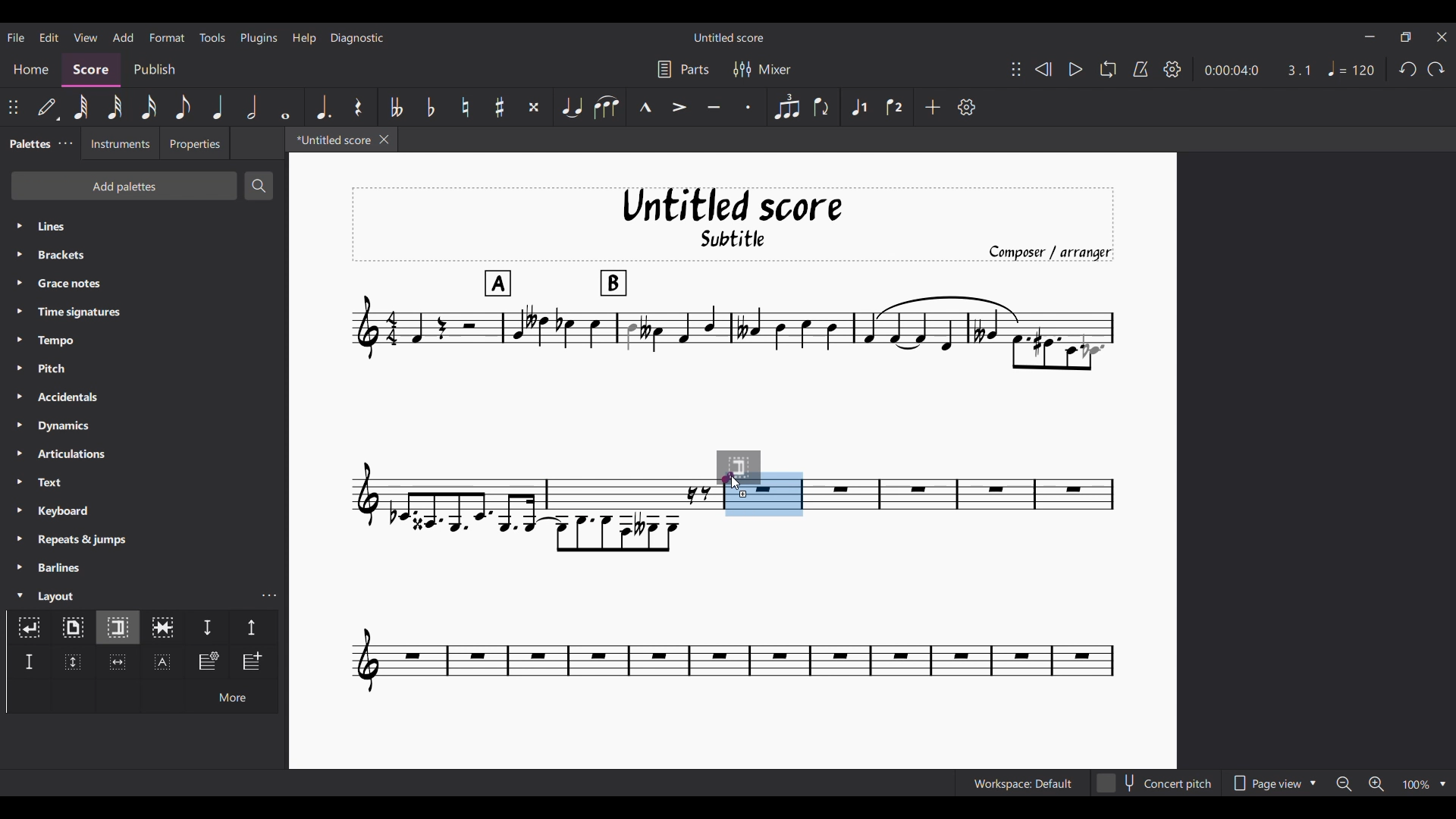  What do you see at coordinates (145, 510) in the screenshot?
I see `Keyboard` at bounding box center [145, 510].